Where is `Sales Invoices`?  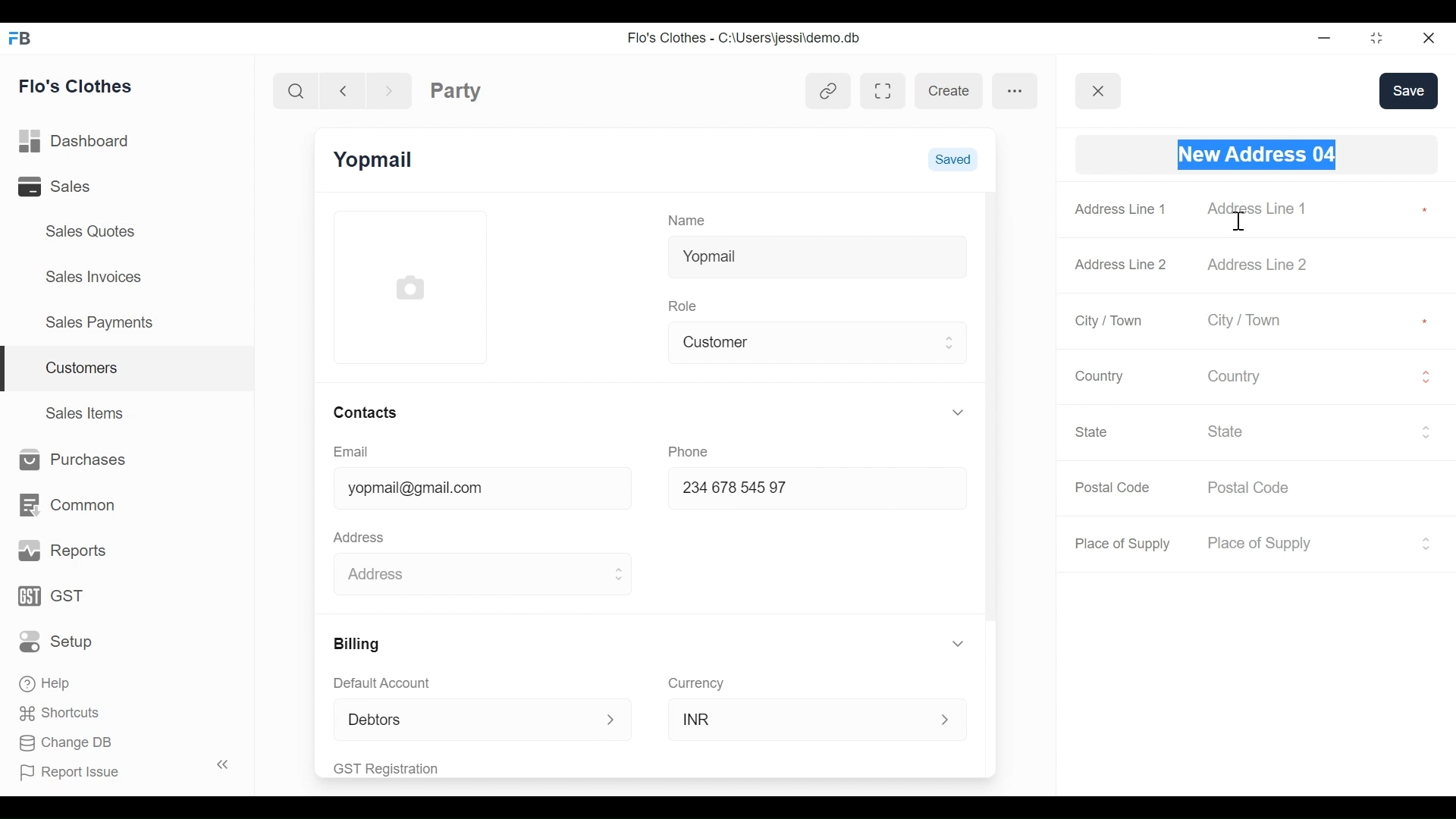 Sales Invoices is located at coordinates (96, 275).